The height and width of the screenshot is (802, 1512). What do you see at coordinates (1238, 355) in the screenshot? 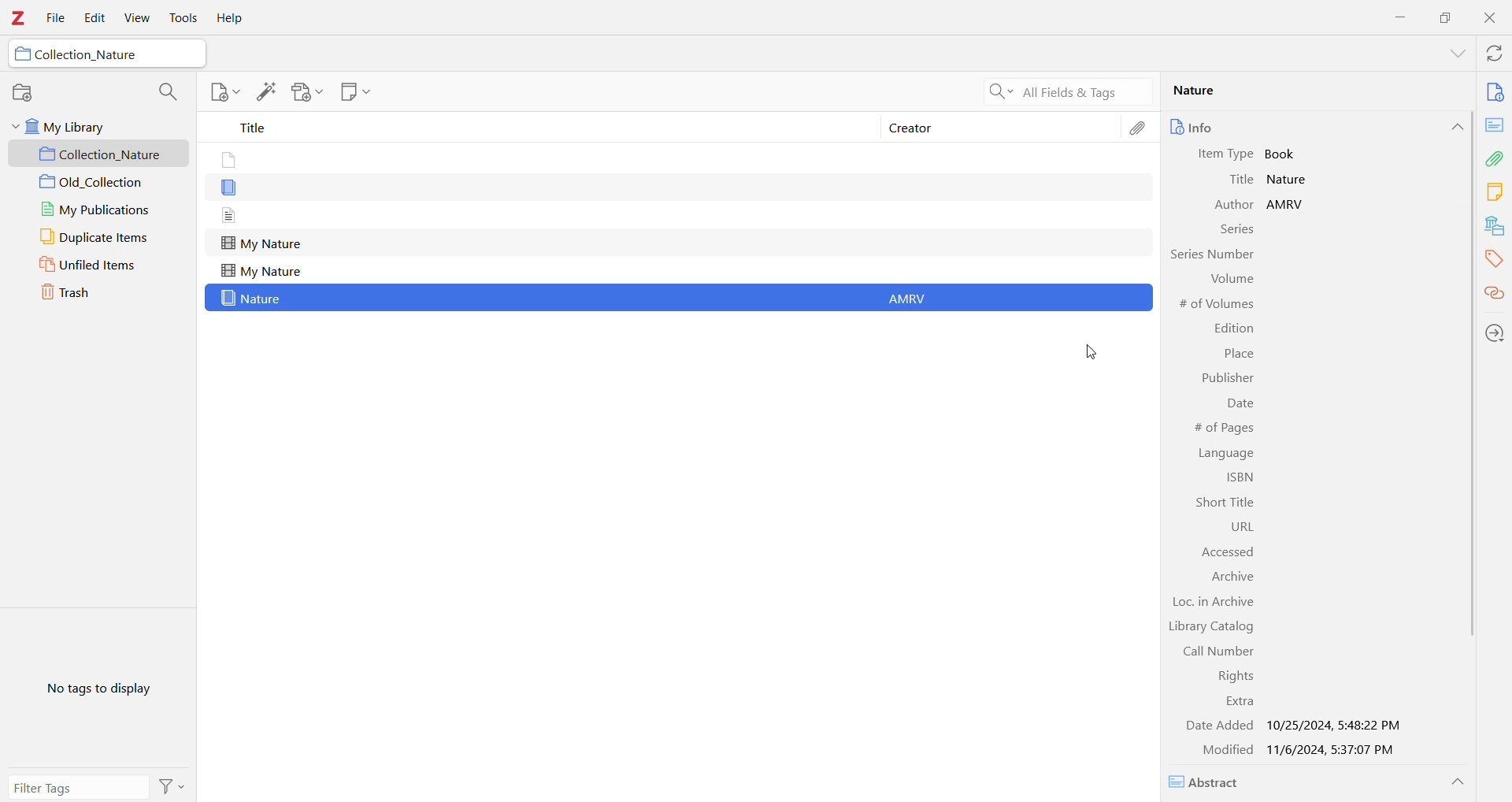
I see `Place` at bounding box center [1238, 355].